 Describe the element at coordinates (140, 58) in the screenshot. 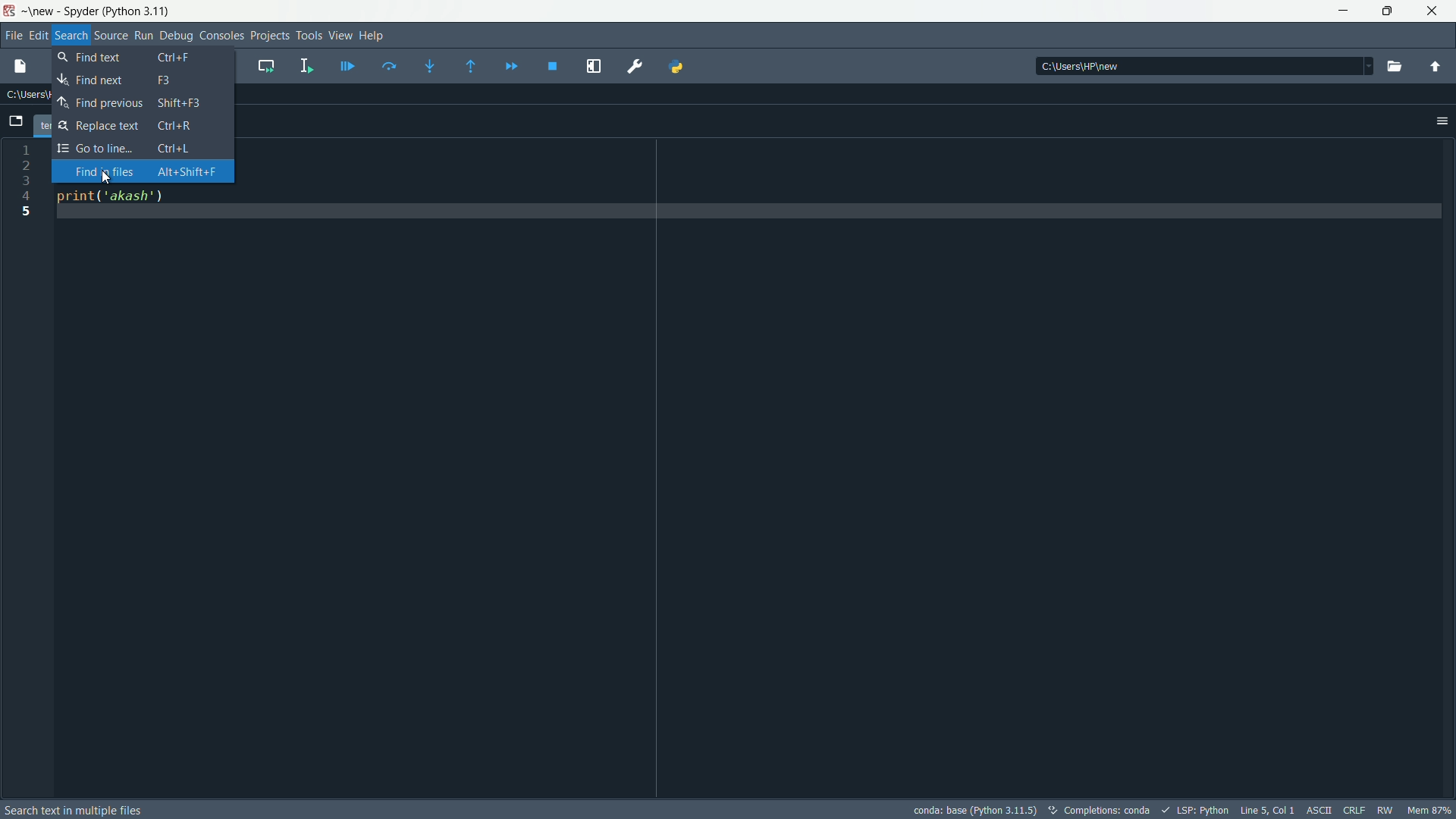

I see `find text` at that location.